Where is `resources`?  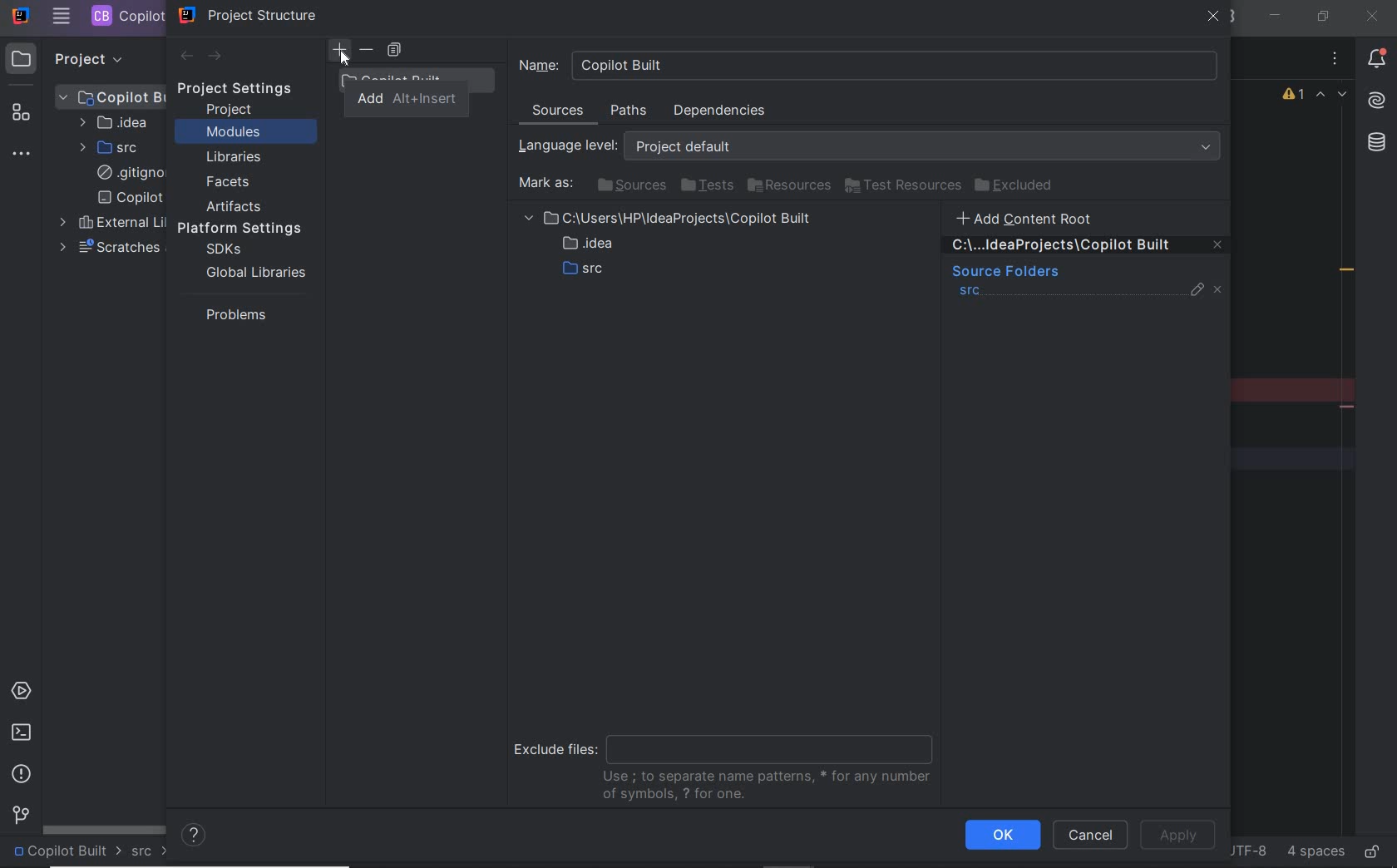
resources is located at coordinates (791, 186).